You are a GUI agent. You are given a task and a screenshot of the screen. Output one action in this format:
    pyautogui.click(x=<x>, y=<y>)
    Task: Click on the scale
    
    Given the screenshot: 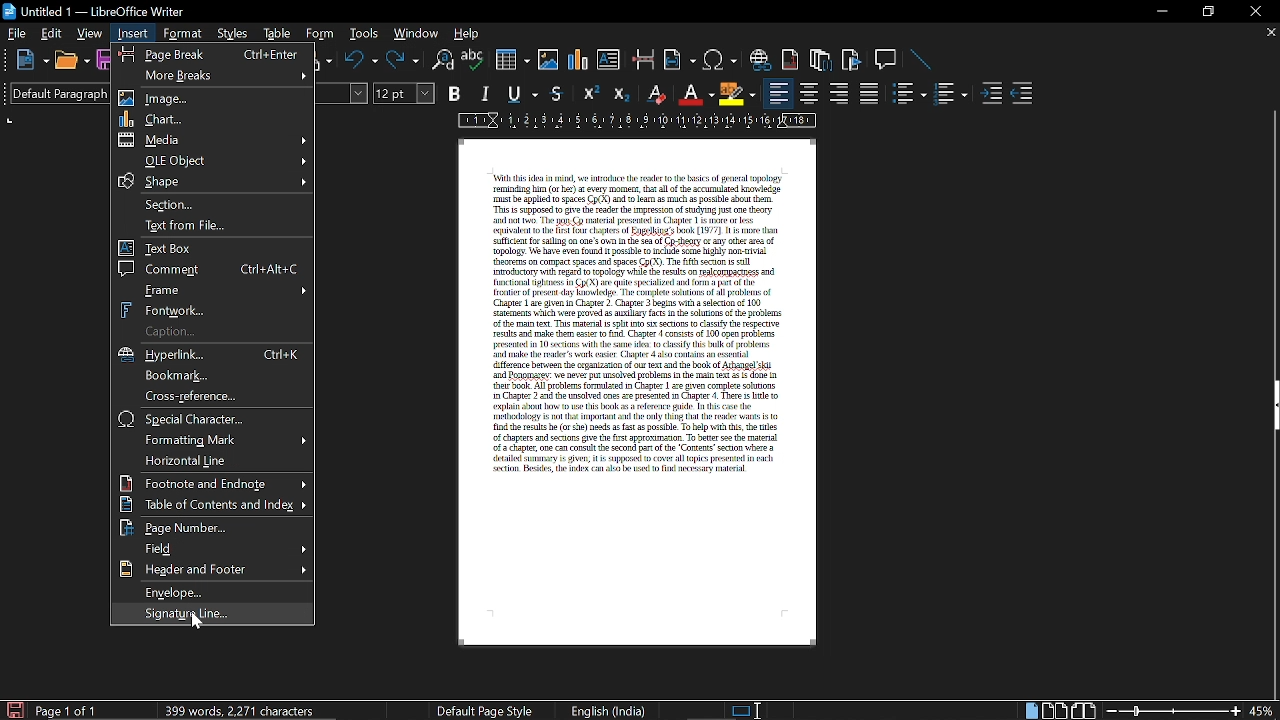 What is the action you would take?
    pyautogui.click(x=638, y=121)
    